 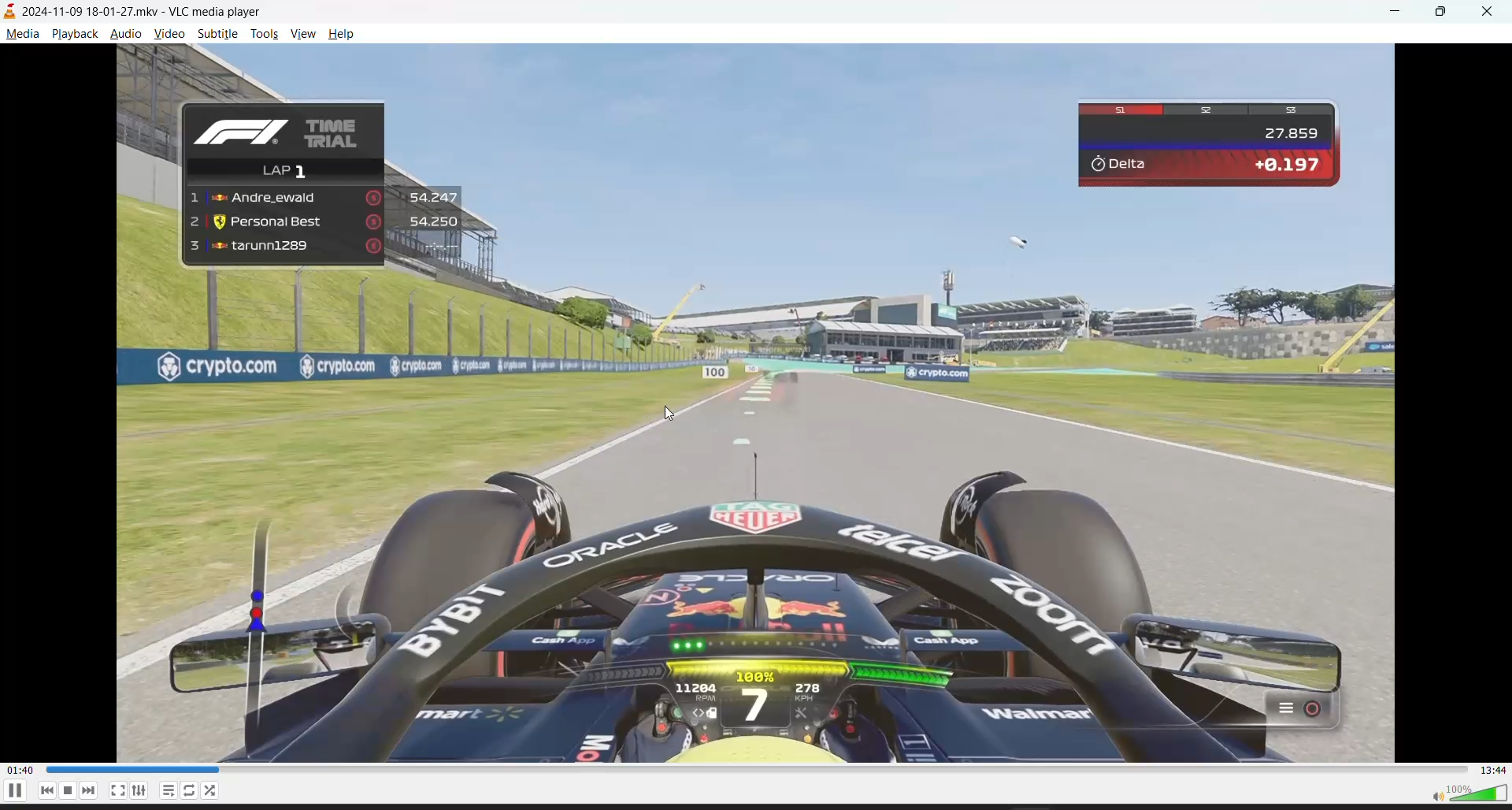 I want to click on tools, so click(x=263, y=34).